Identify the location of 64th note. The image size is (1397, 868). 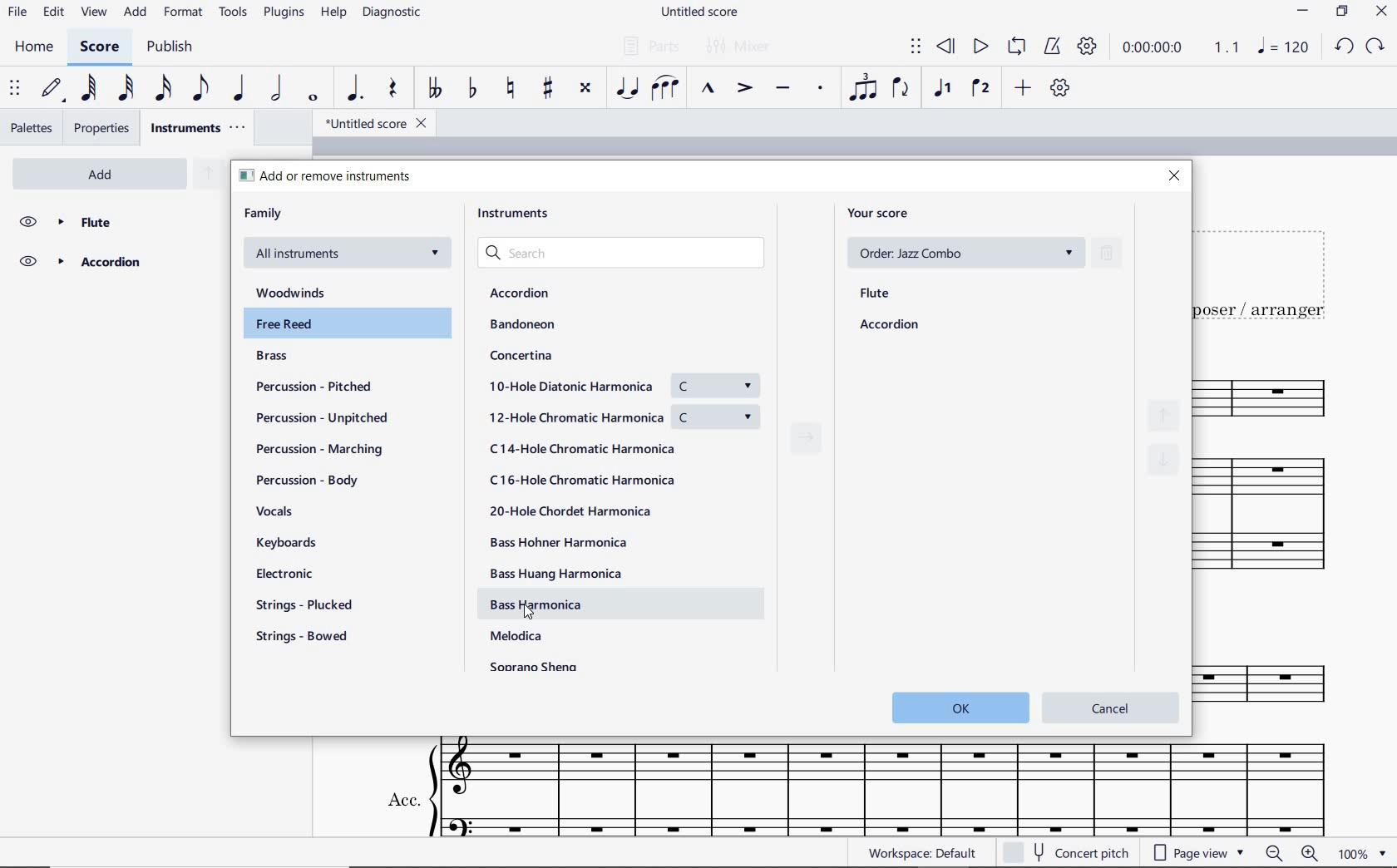
(89, 88).